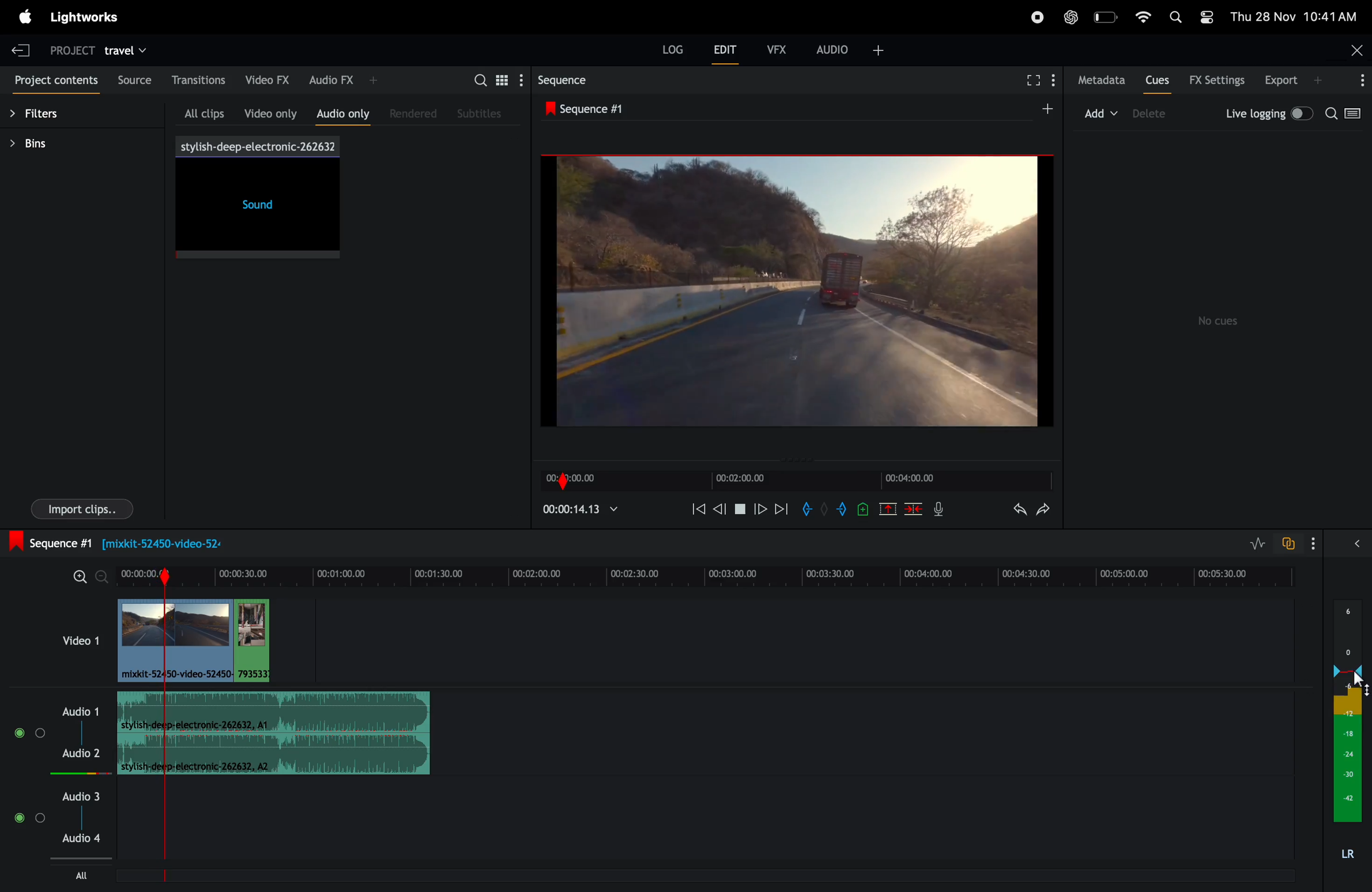 Image resolution: width=1372 pixels, height=892 pixels. I want to click on sound, so click(254, 210).